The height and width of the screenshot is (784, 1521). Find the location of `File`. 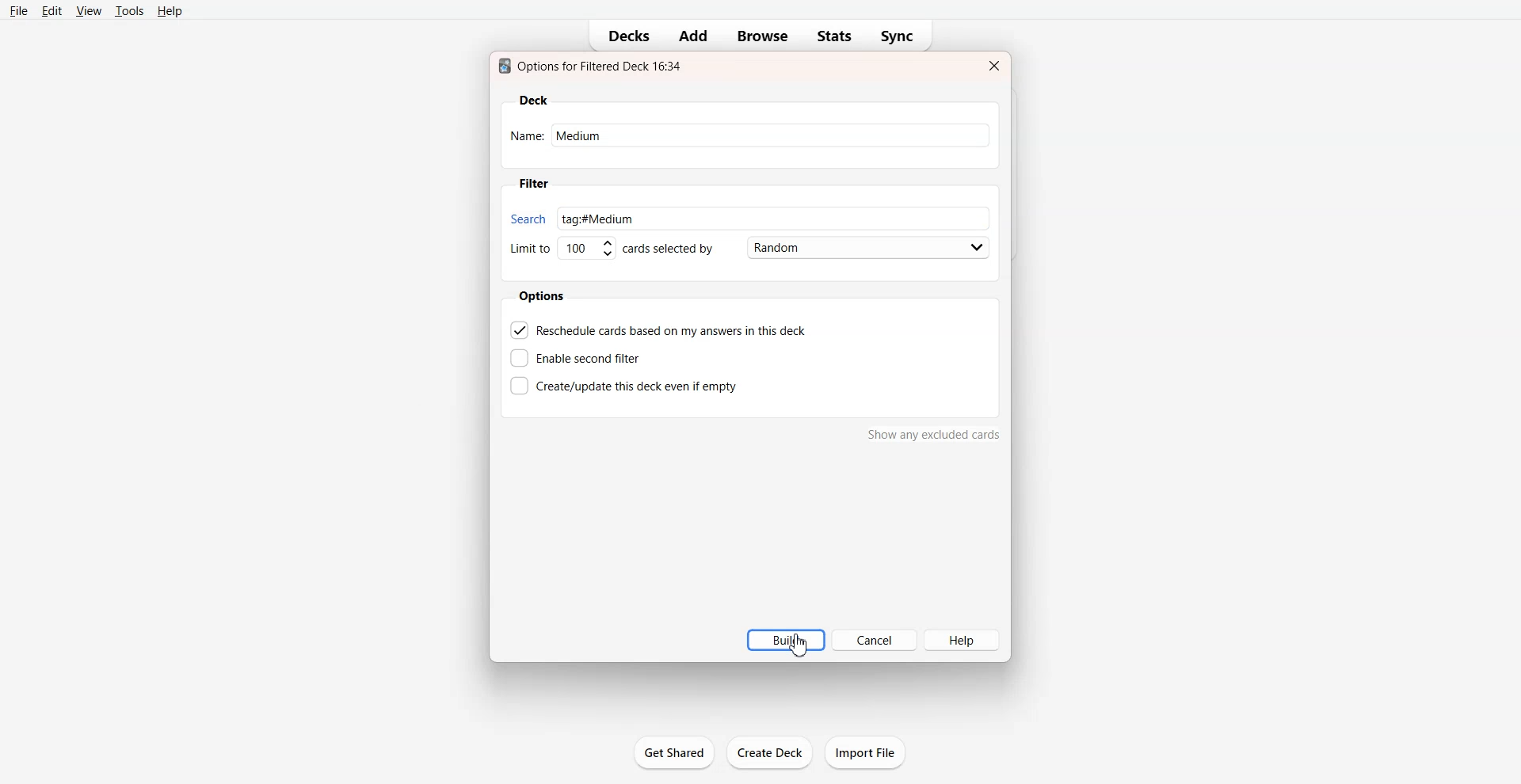

File is located at coordinates (19, 10).